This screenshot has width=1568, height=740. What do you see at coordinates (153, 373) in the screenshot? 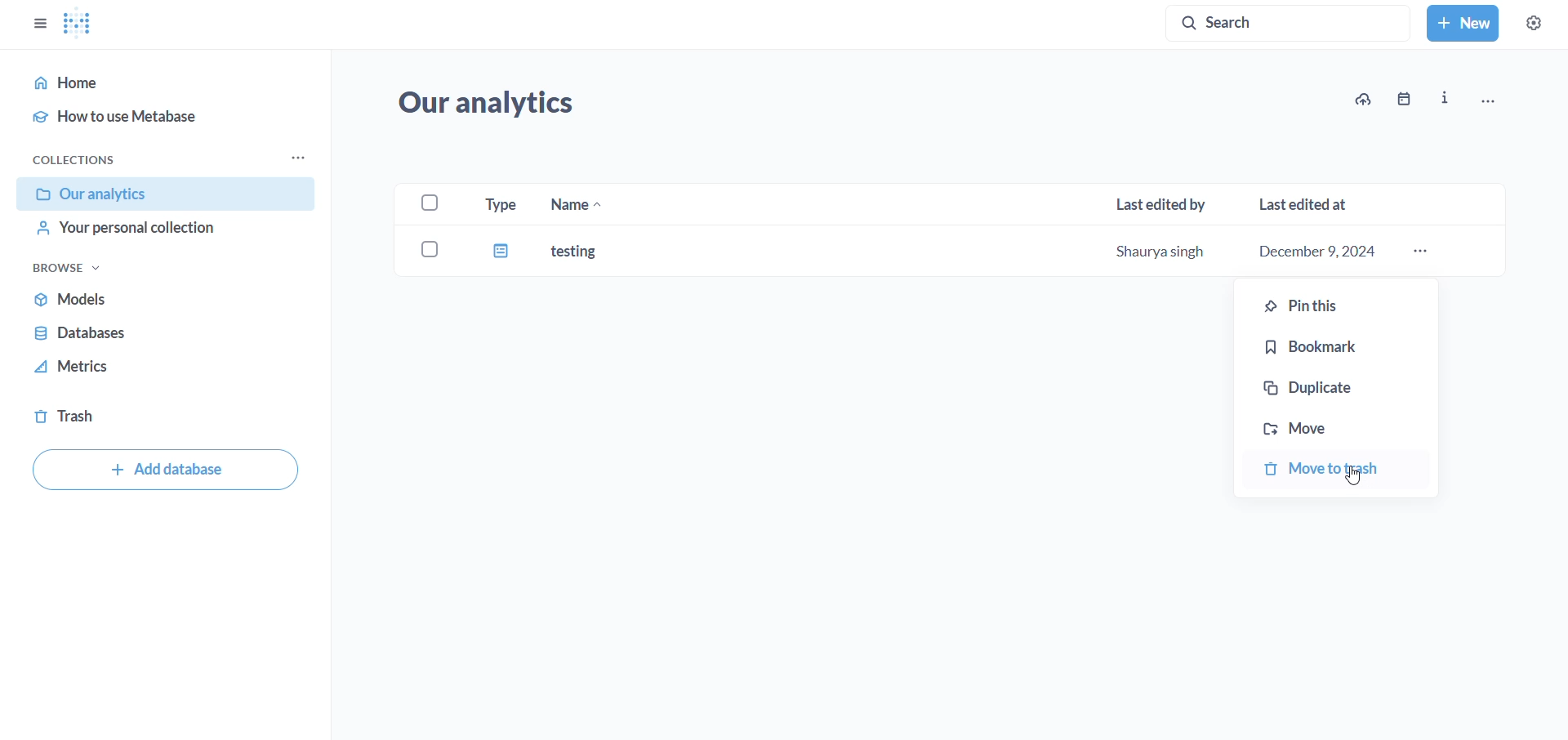
I see `metrics` at bounding box center [153, 373].